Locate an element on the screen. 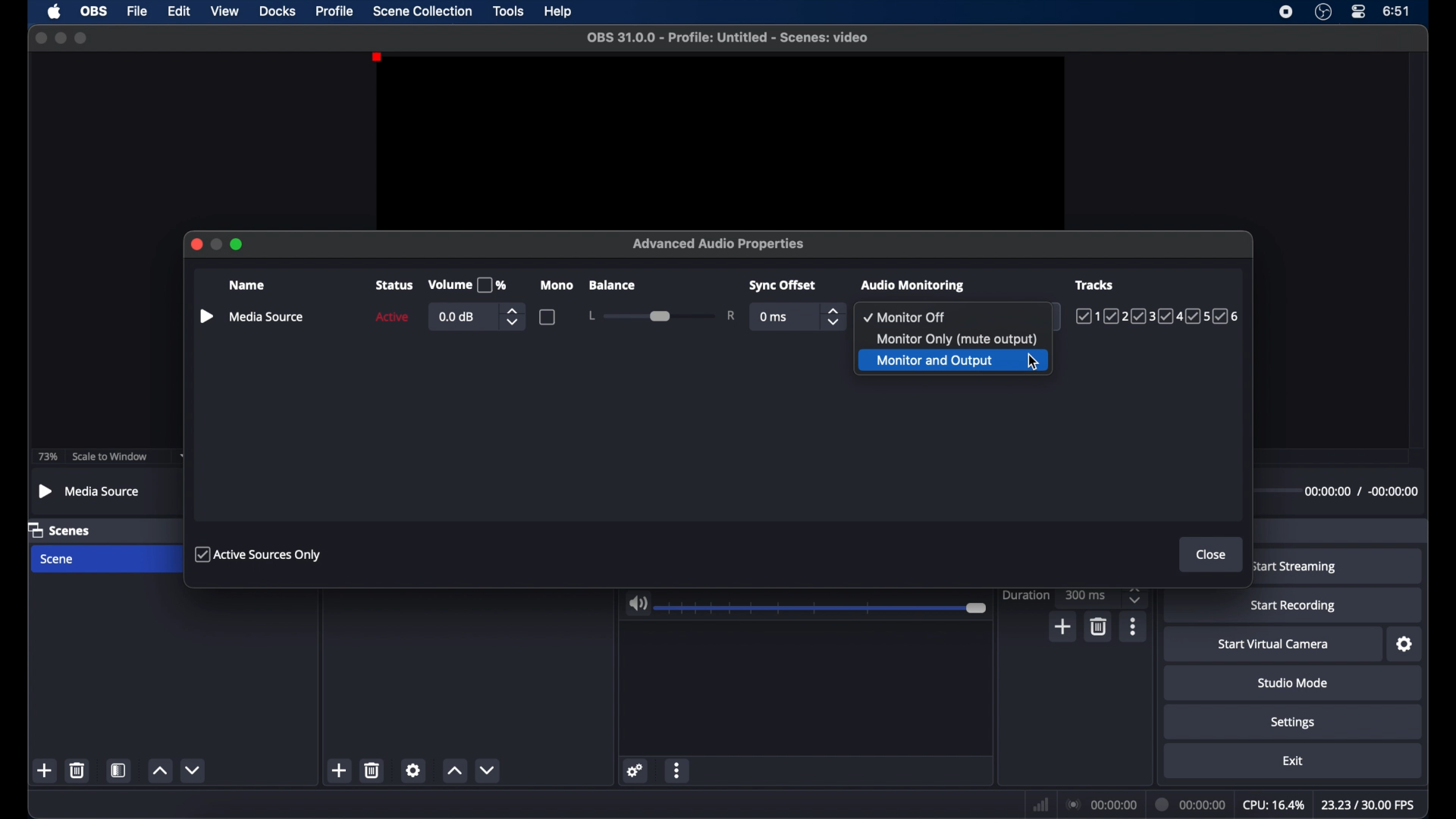  time is located at coordinates (1397, 10).